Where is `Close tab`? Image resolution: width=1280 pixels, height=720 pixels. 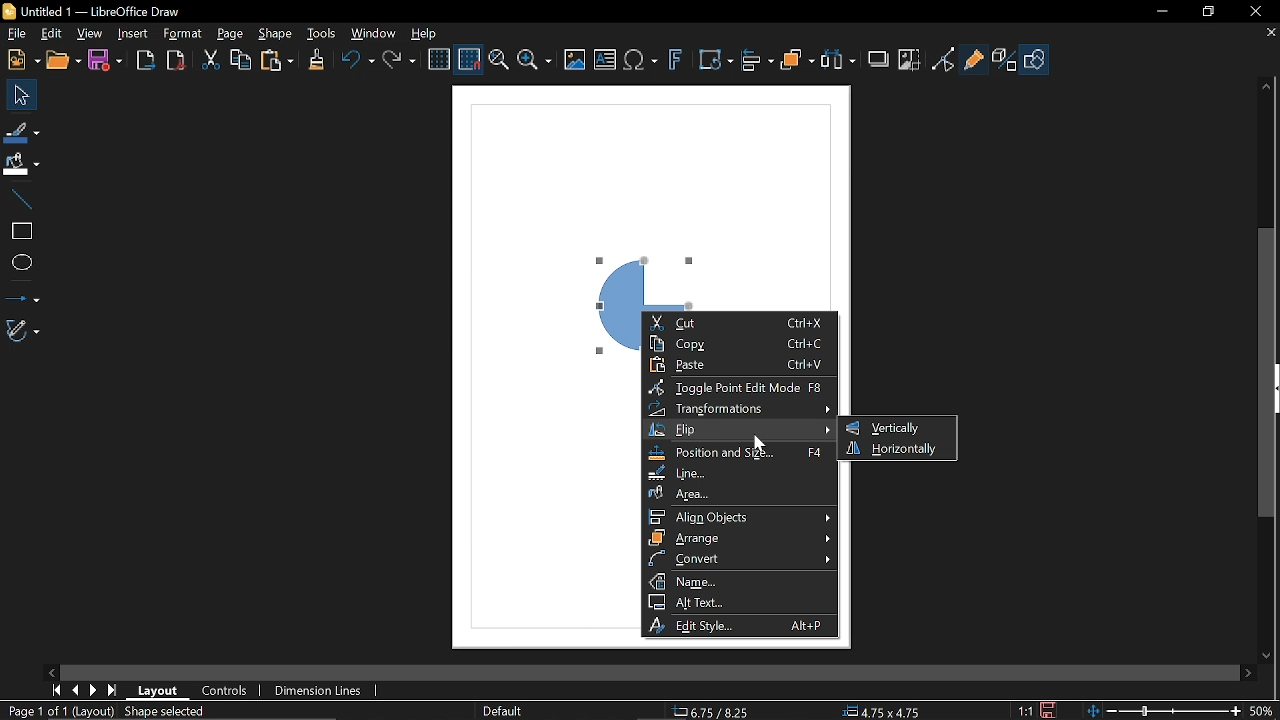 Close tab is located at coordinates (1270, 33).